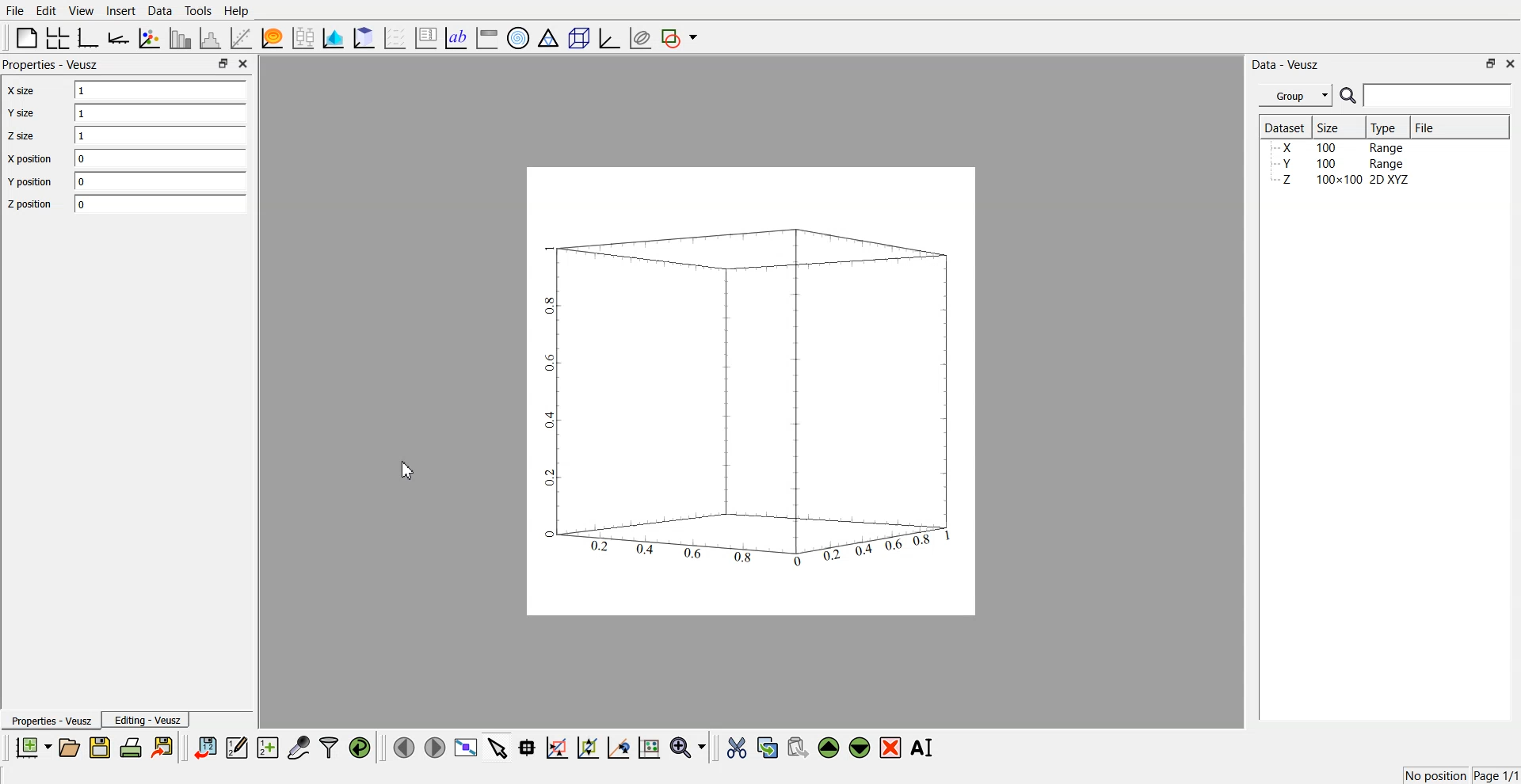 This screenshot has width=1521, height=784. I want to click on Remove the selected widget, so click(890, 748).